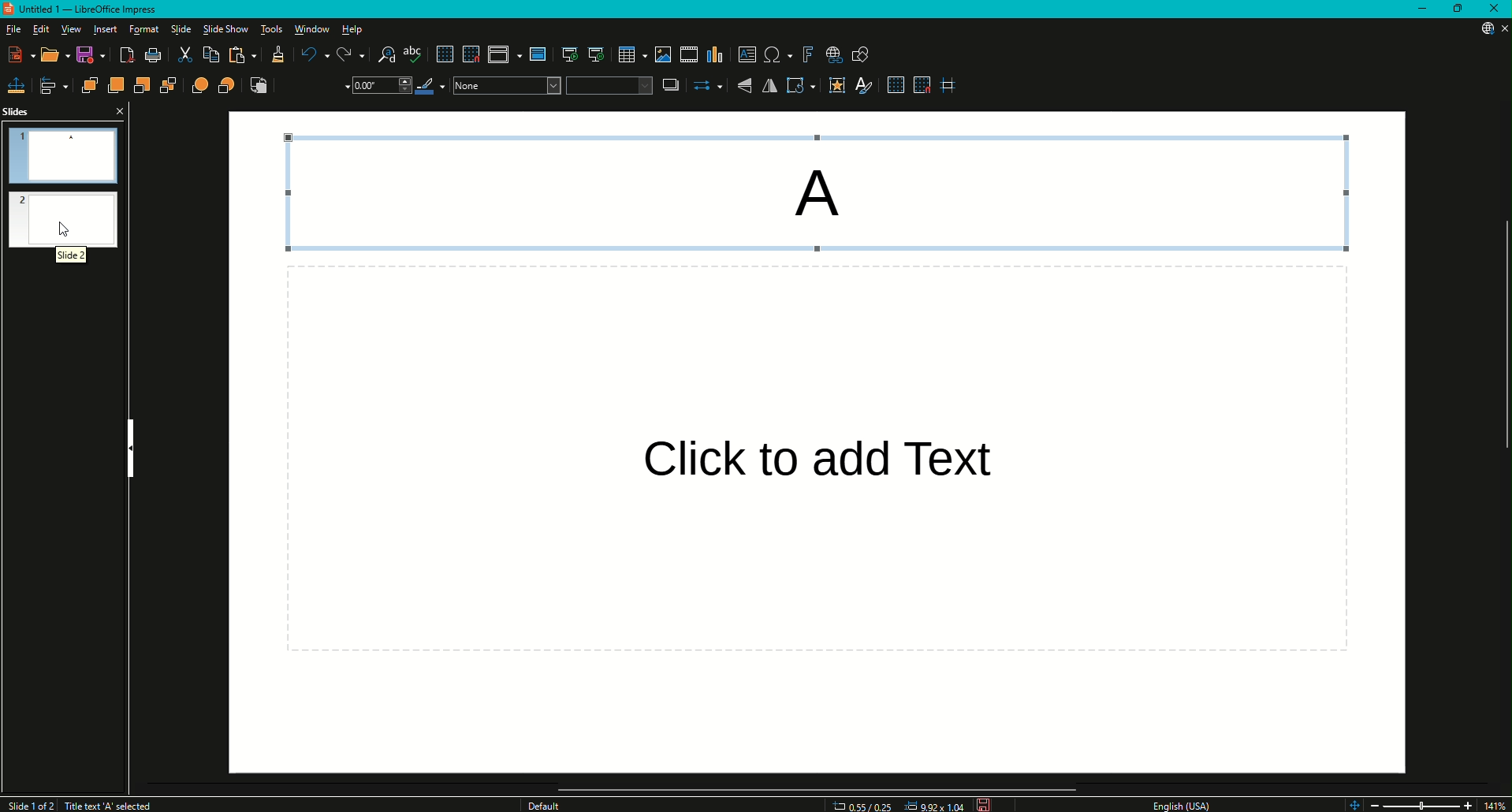 Image resolution: width=1512 pixels, height=812 pixels. Describe the element at coordinates (87, 54) in the screenshot. I see `Save` at that location.